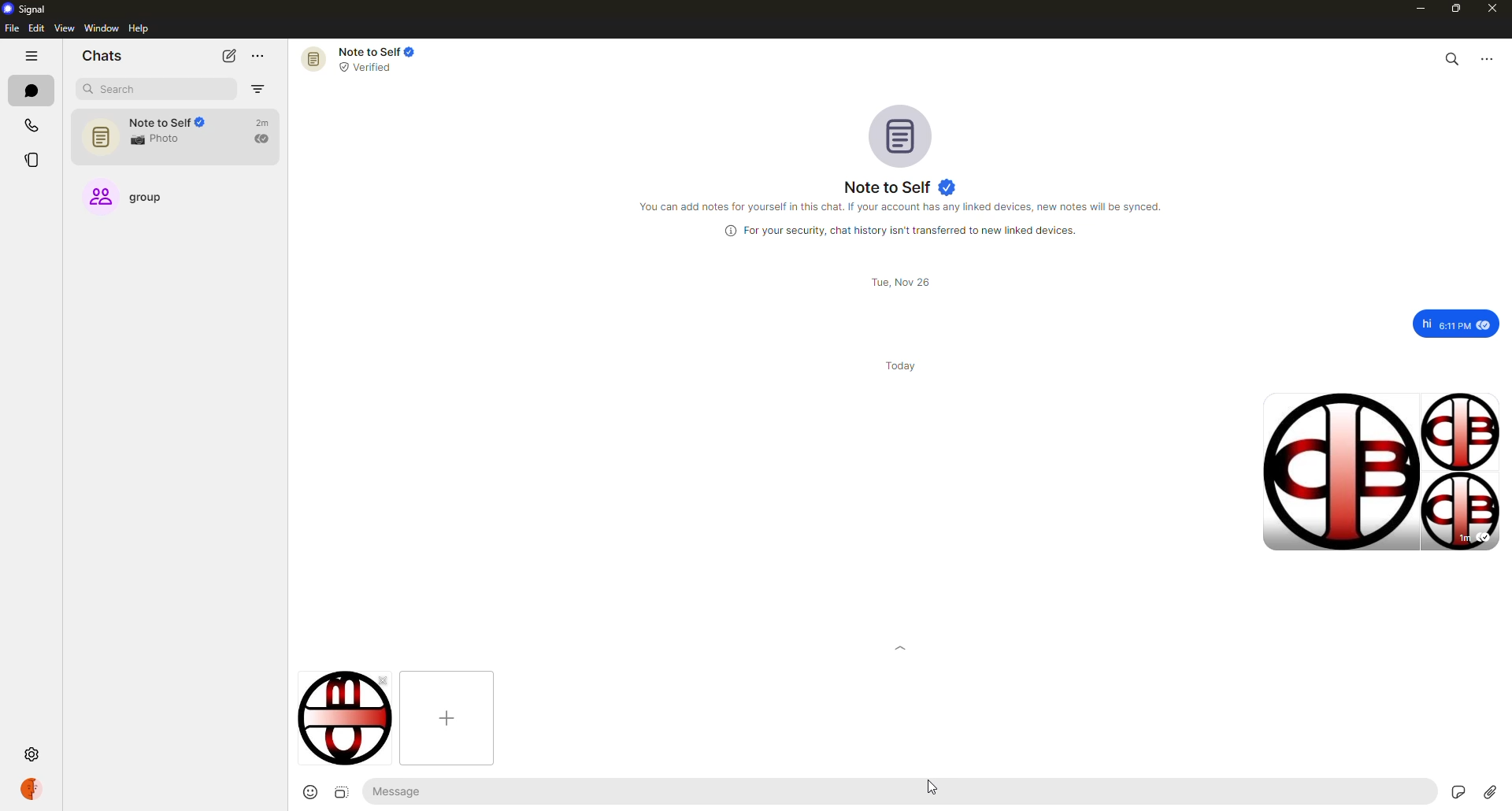 The height and width of the screenshot is (811, 1512). Describe the element at coordinates (32, 57) in the screenshot. I see `hide tabs` at that location.